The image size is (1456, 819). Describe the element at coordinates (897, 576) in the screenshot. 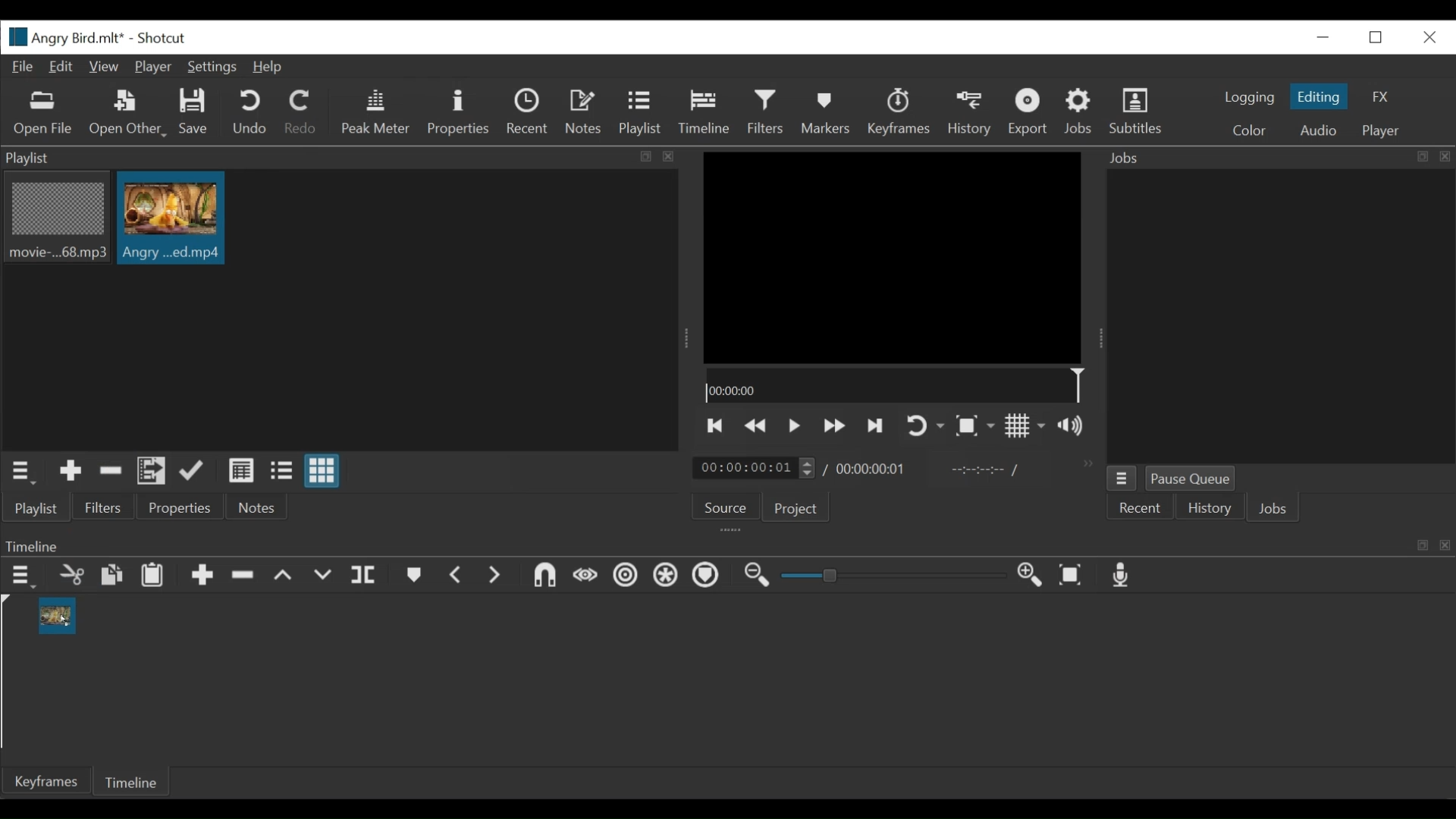

I see `Slider` at that location.